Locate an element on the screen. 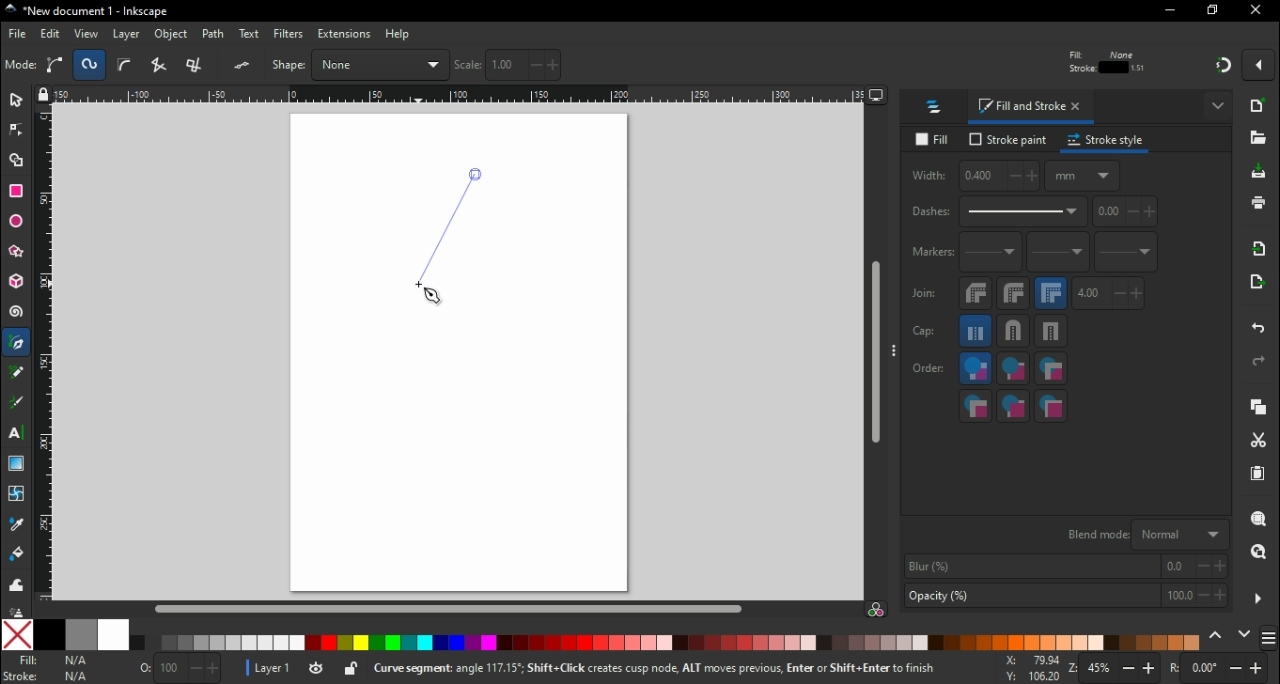  next is located at coordinates (1245, 634).